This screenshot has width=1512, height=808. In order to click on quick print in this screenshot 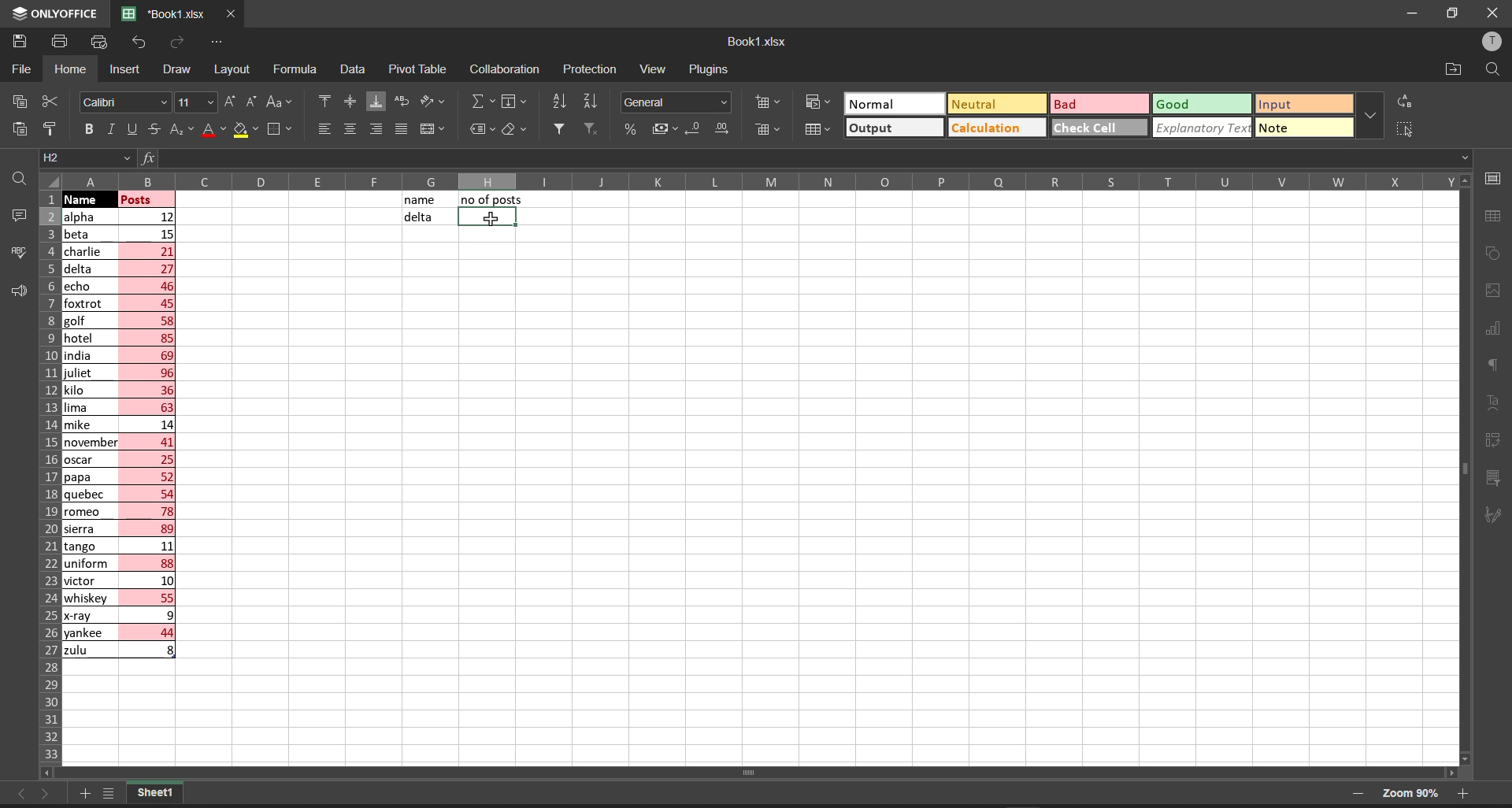, I will do `click(98, 40)`.